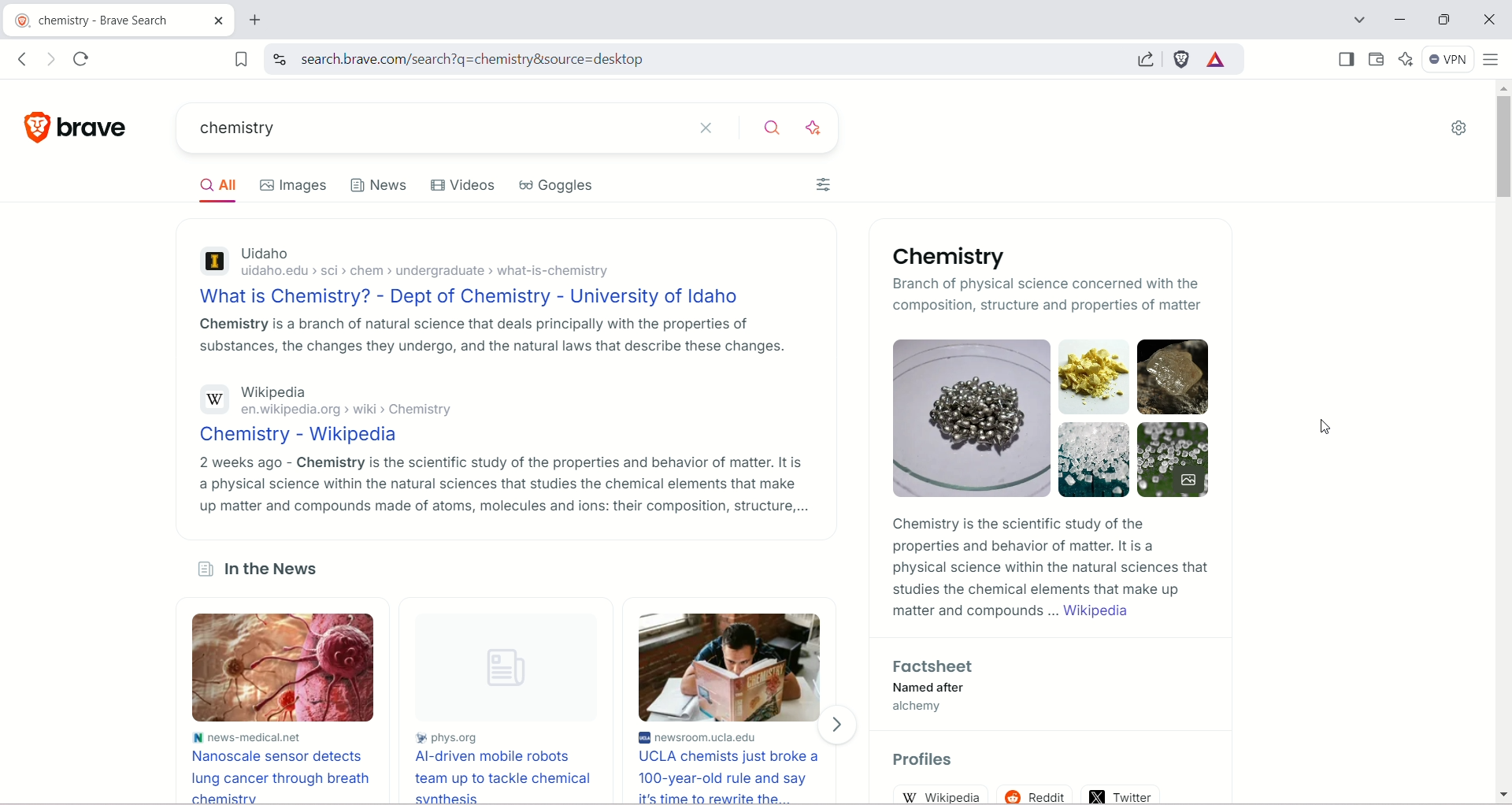  What do you see at coordinates (924, 710) in the screenshot?
I see `alchemy` at bounding box center [924, 710].